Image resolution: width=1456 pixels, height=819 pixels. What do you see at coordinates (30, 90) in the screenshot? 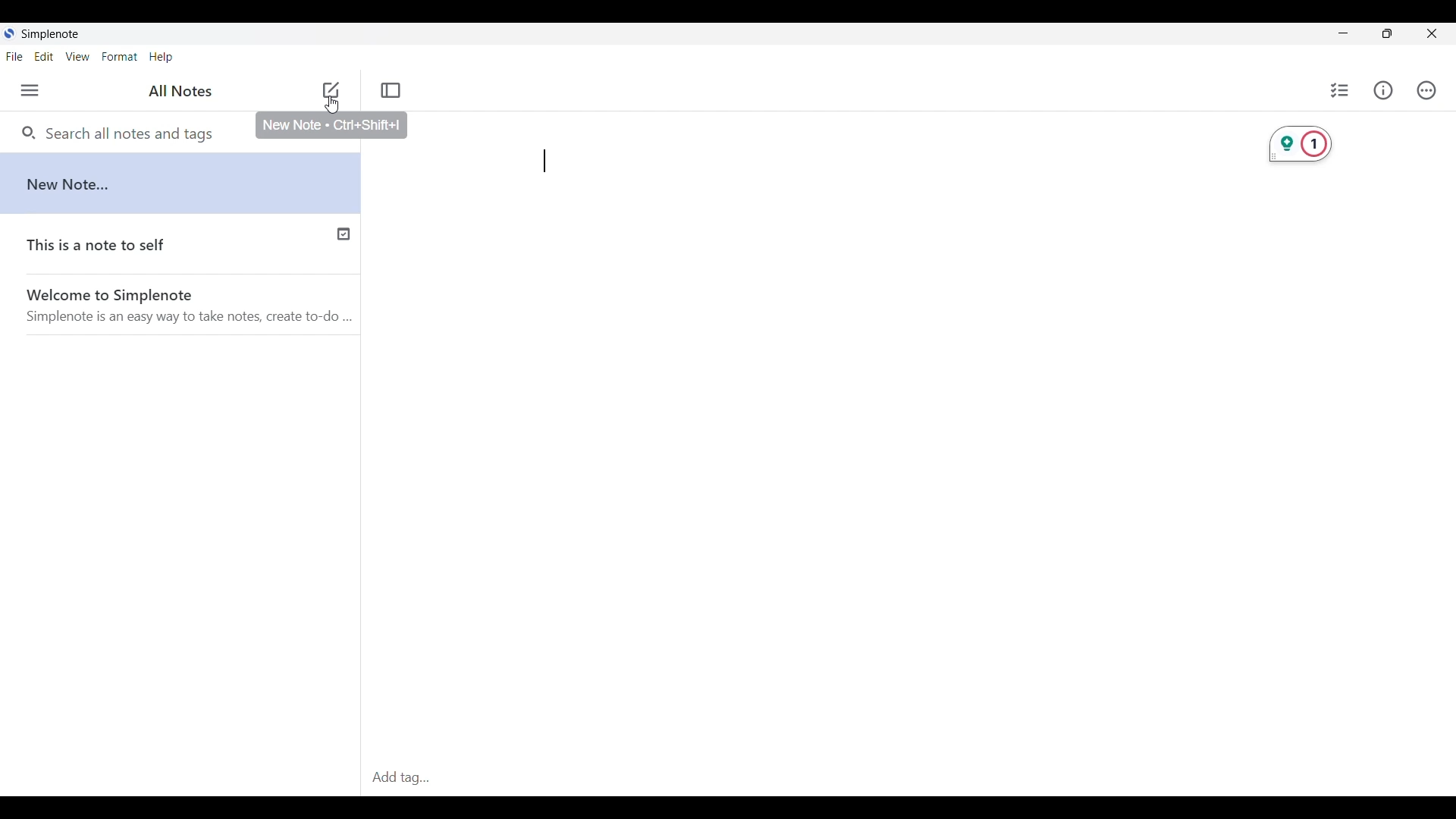
I see `Menu` at bounding box center [30, 90].